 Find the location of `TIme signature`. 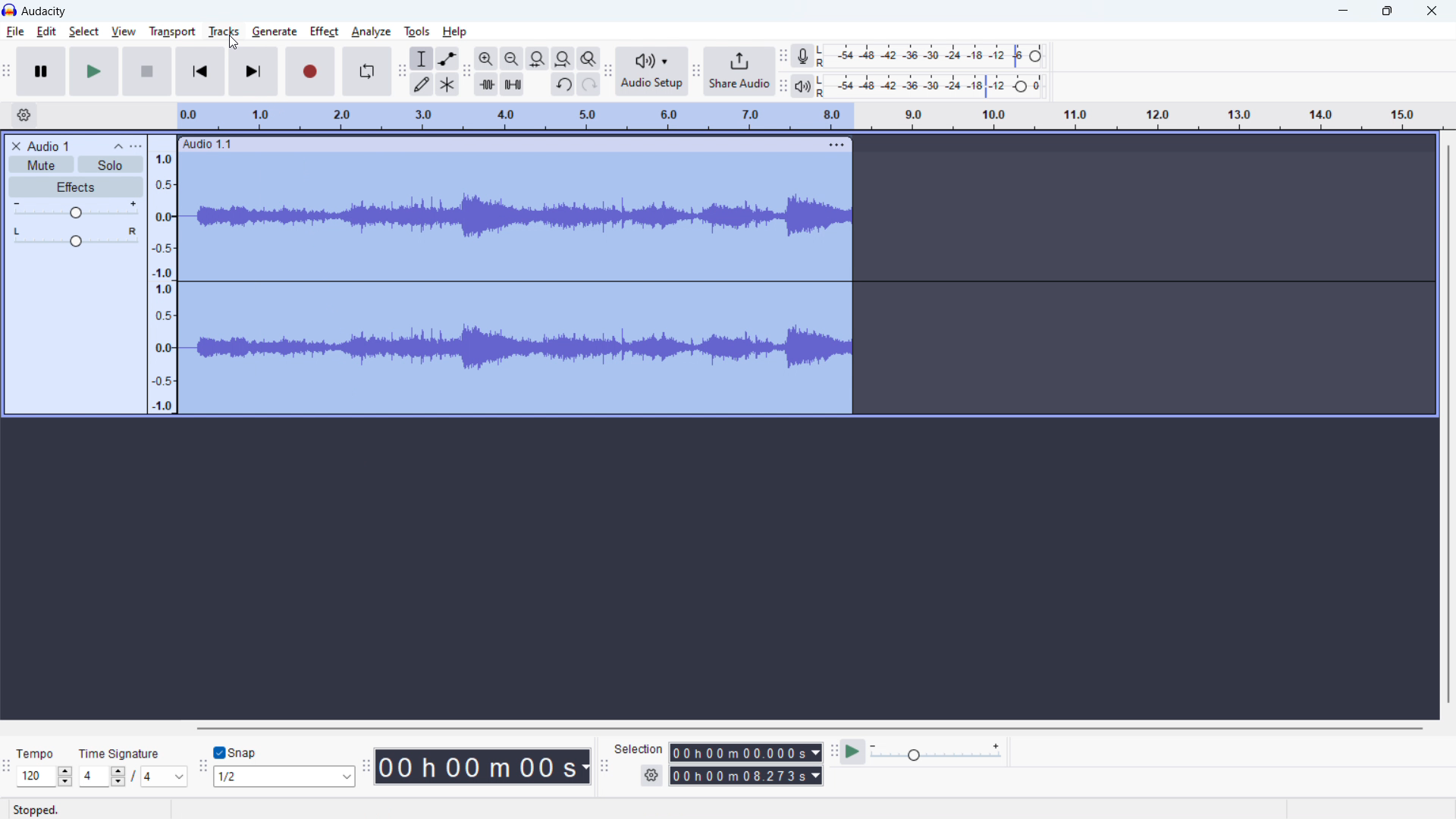

TIme signature is located at coordinates (122, 755).